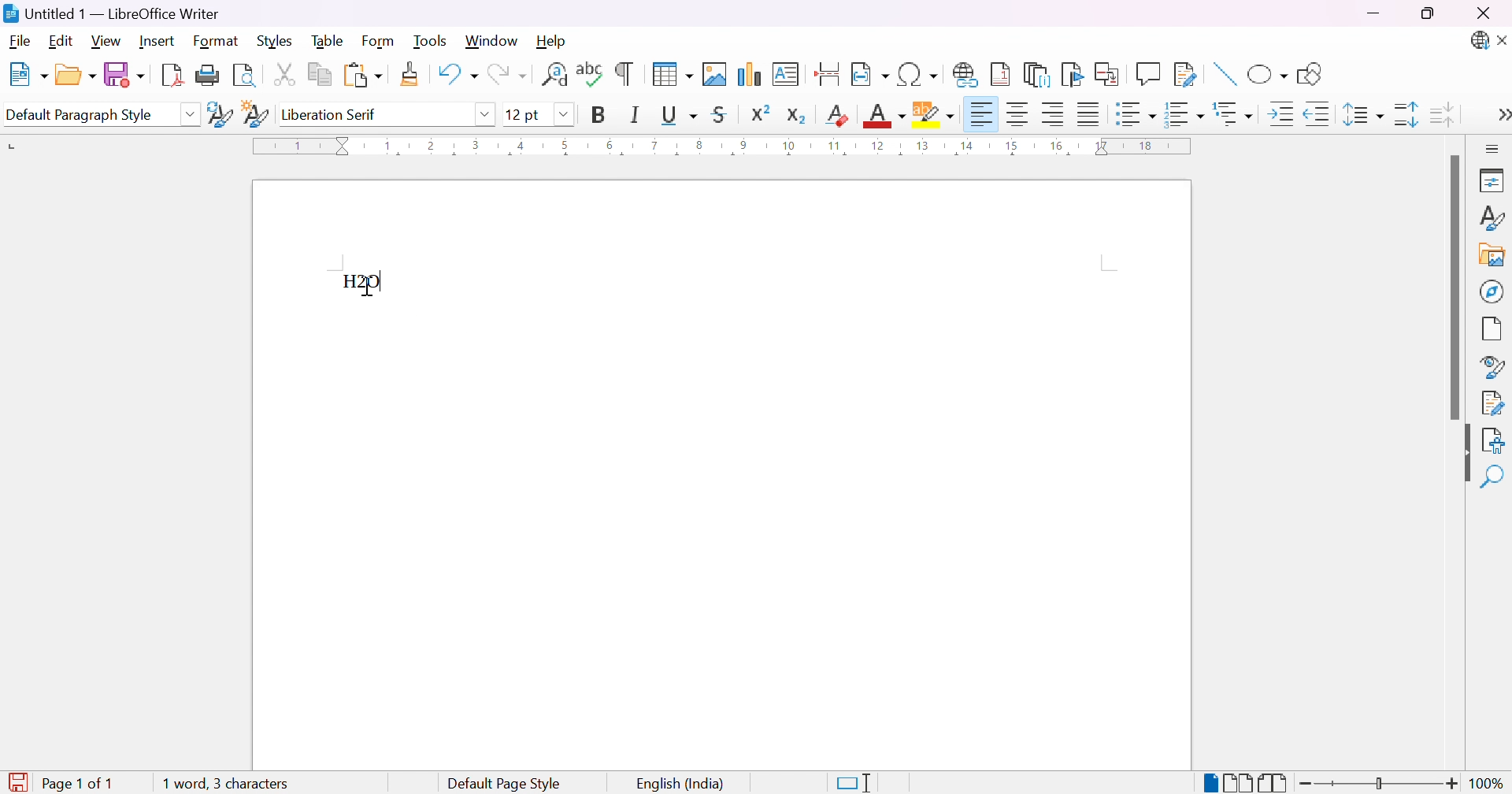 The image size is (1512, 794). Describe the element at coordinates (1223, 76) in the screenshot. I see `Insert line` at that location.